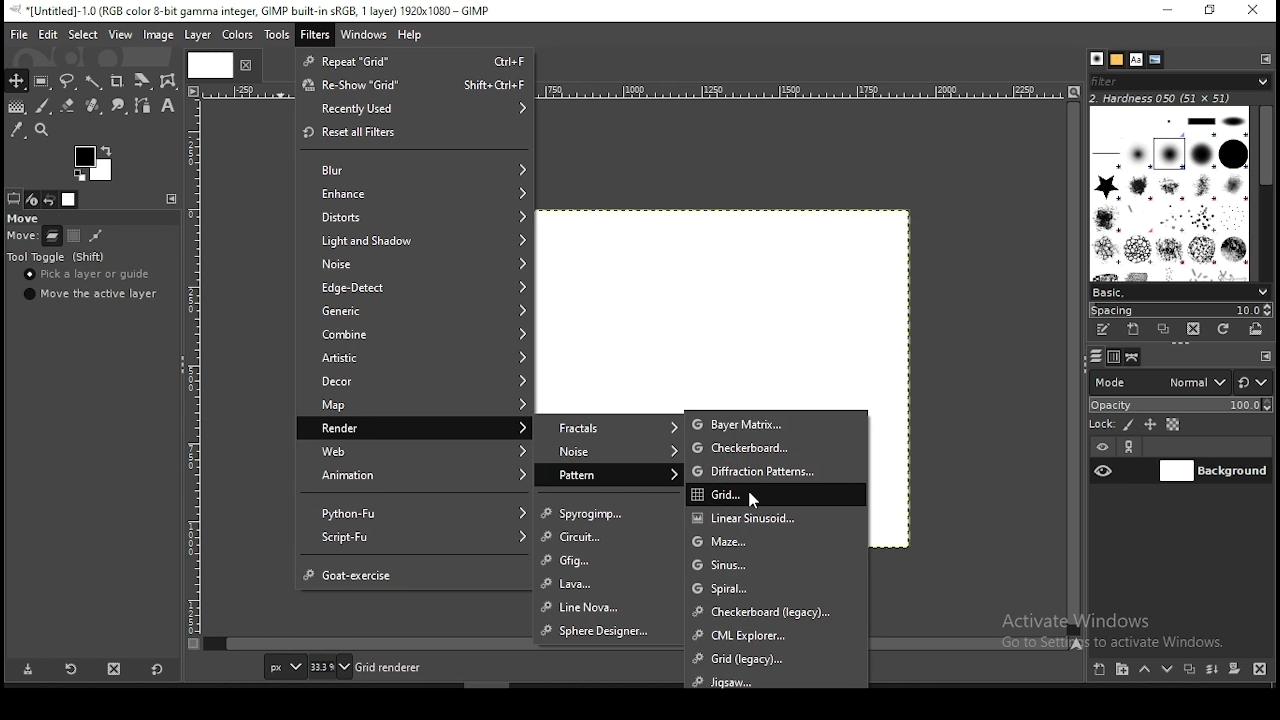  What do you see at coordinates (414, 451) in the screenshot?
I see `web` at bounding box center [414, 451].